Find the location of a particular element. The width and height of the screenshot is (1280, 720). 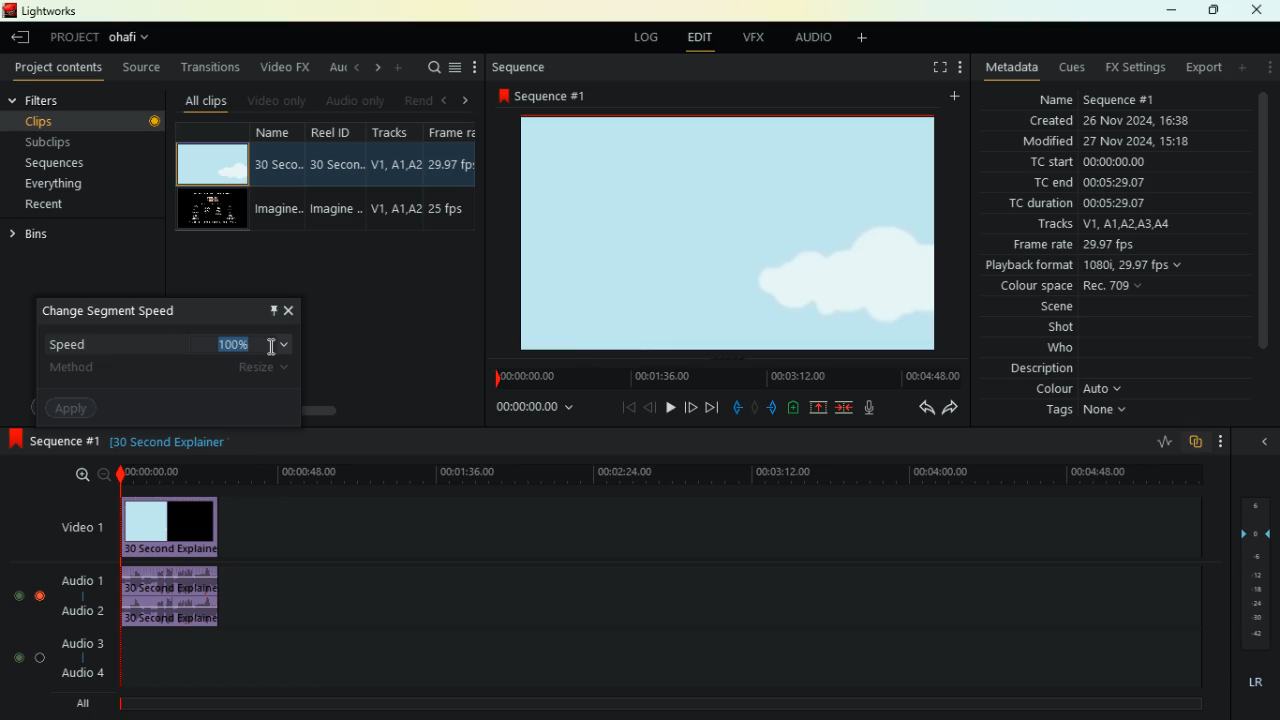

right is located at coordinates (470, 101).